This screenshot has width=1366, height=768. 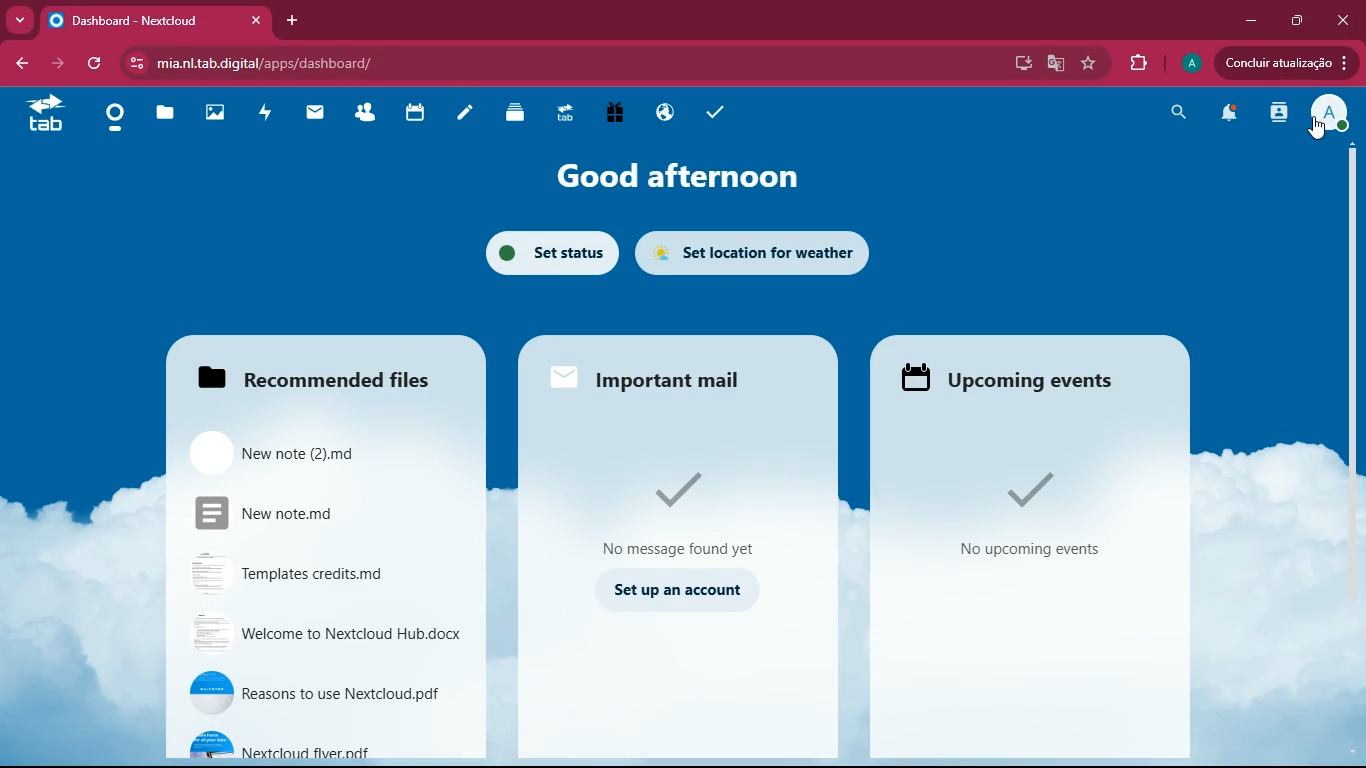 What do you see at coordinates (306, 450) in the screenshot?
I see `New note (2).md` at bounding box center [306, 450].